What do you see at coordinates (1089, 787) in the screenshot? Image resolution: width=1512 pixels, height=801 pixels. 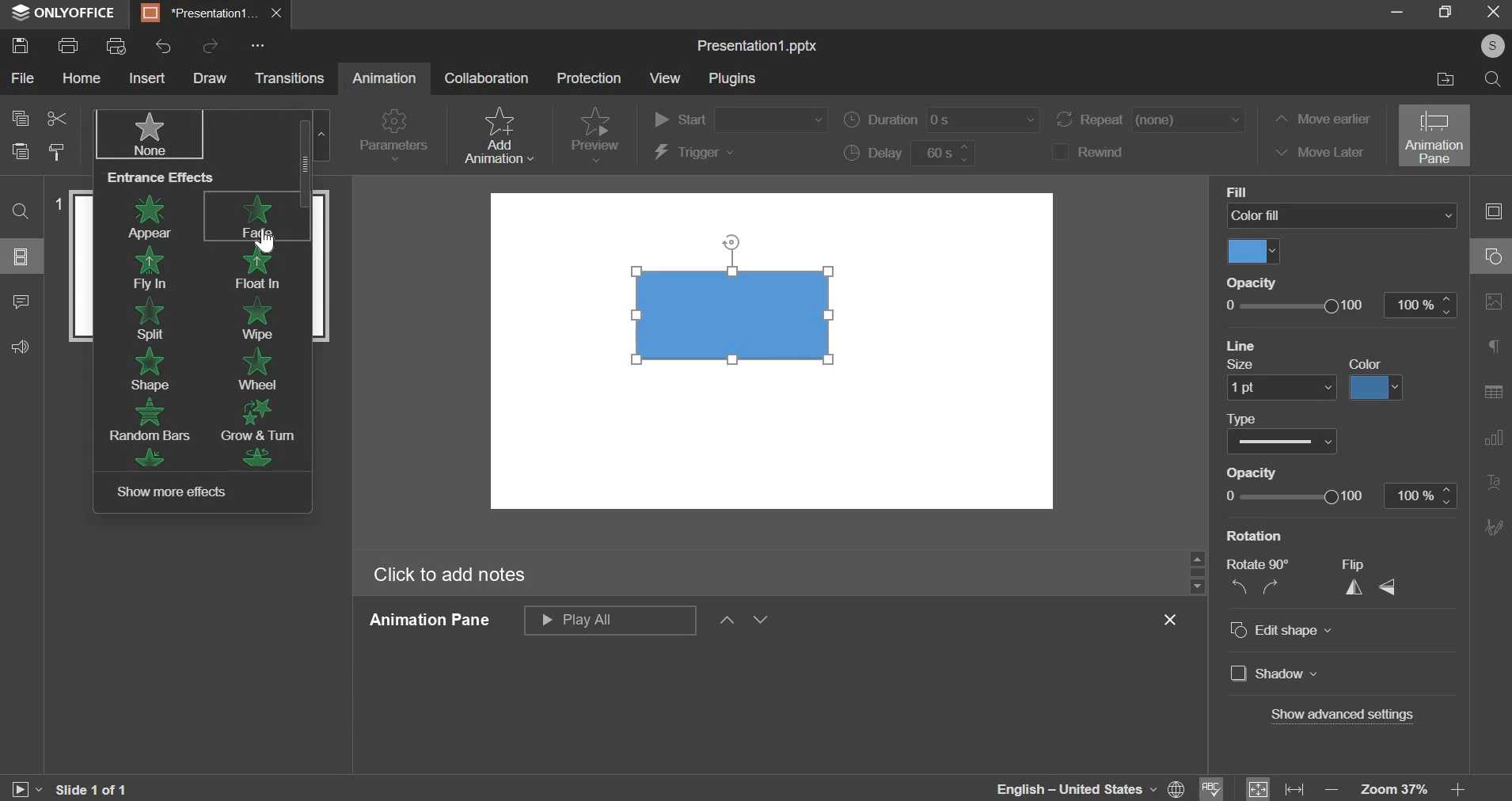 I see `English — United States `` at bounding box center [1089, 787].